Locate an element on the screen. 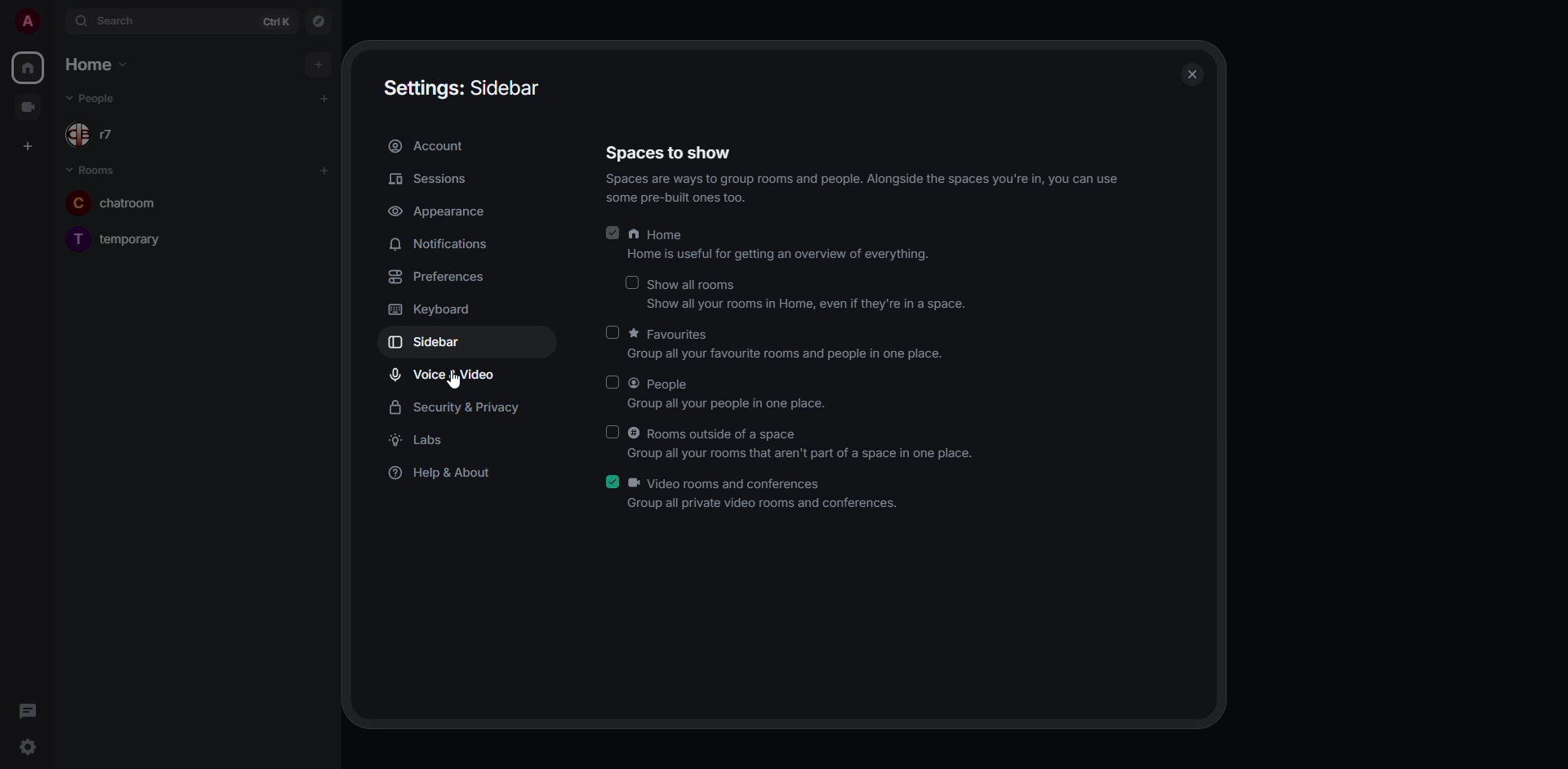 The width and height of the screenshot is (1568, 769). video room is located at coordinates (29, 106).